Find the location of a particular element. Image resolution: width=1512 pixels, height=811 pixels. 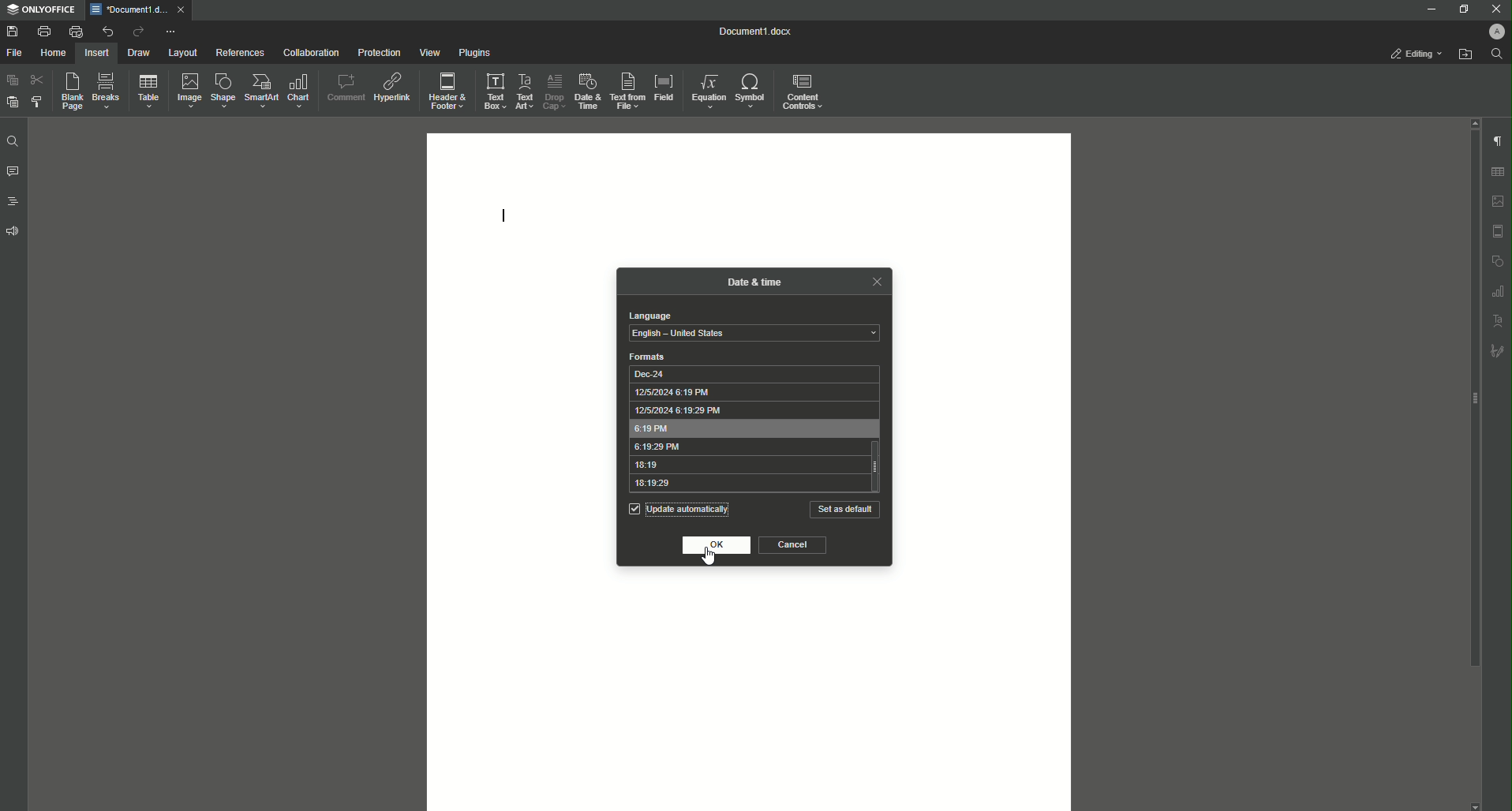

Hyperlink is located at coordinates (391, 84).